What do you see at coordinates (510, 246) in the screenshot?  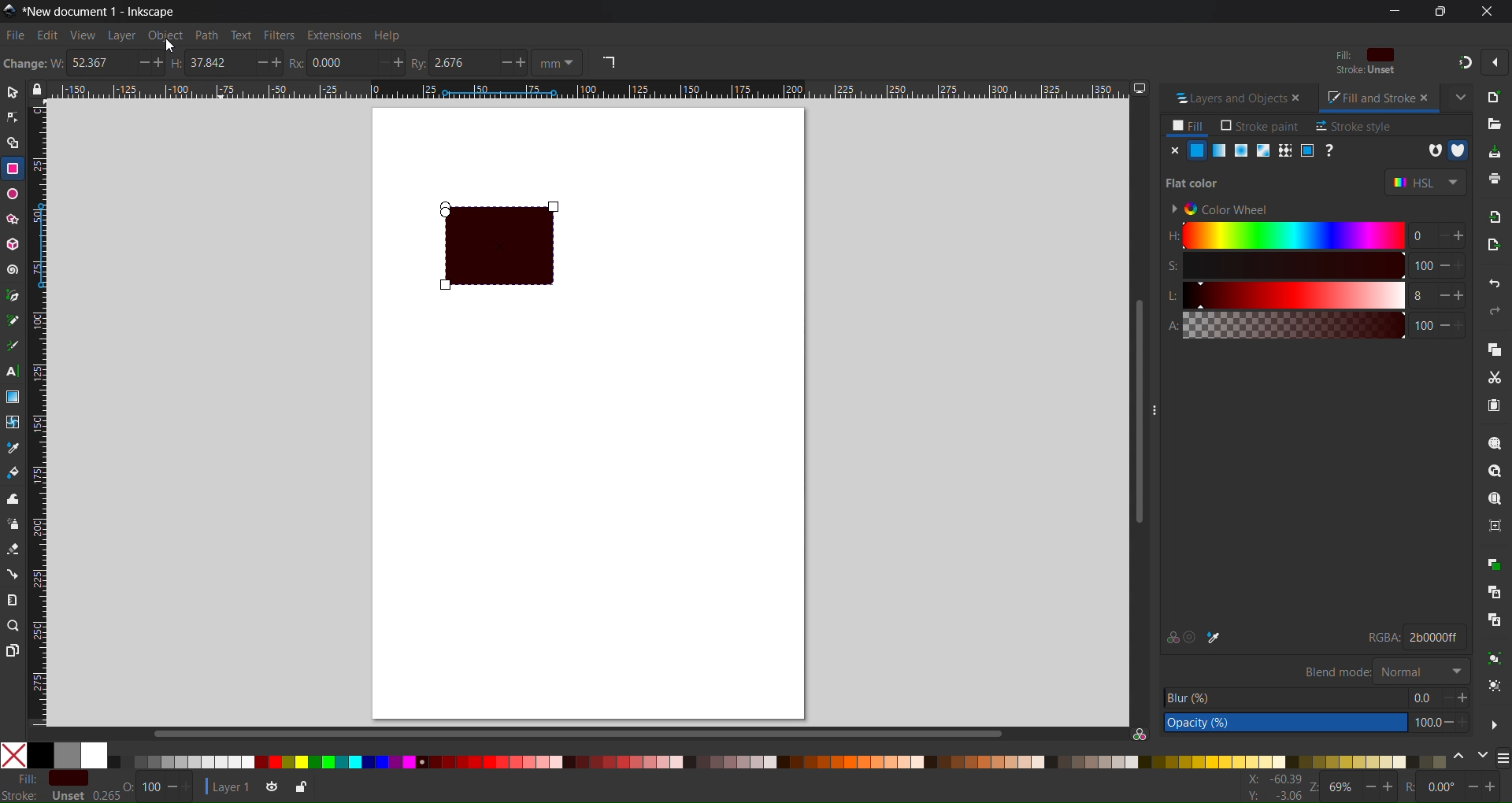 I see `Rectangle with fill color` at bounding box center [510, 246].